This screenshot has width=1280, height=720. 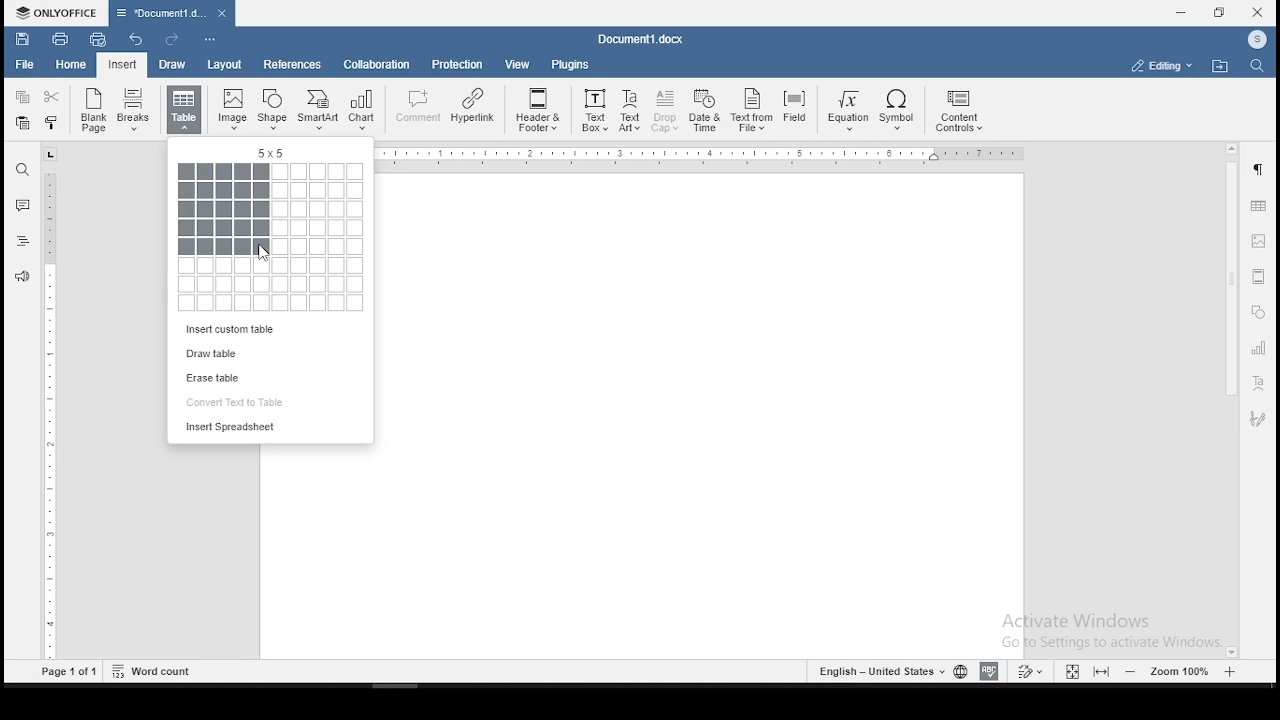 I want to click on Chart, so click(x=361, y=112).